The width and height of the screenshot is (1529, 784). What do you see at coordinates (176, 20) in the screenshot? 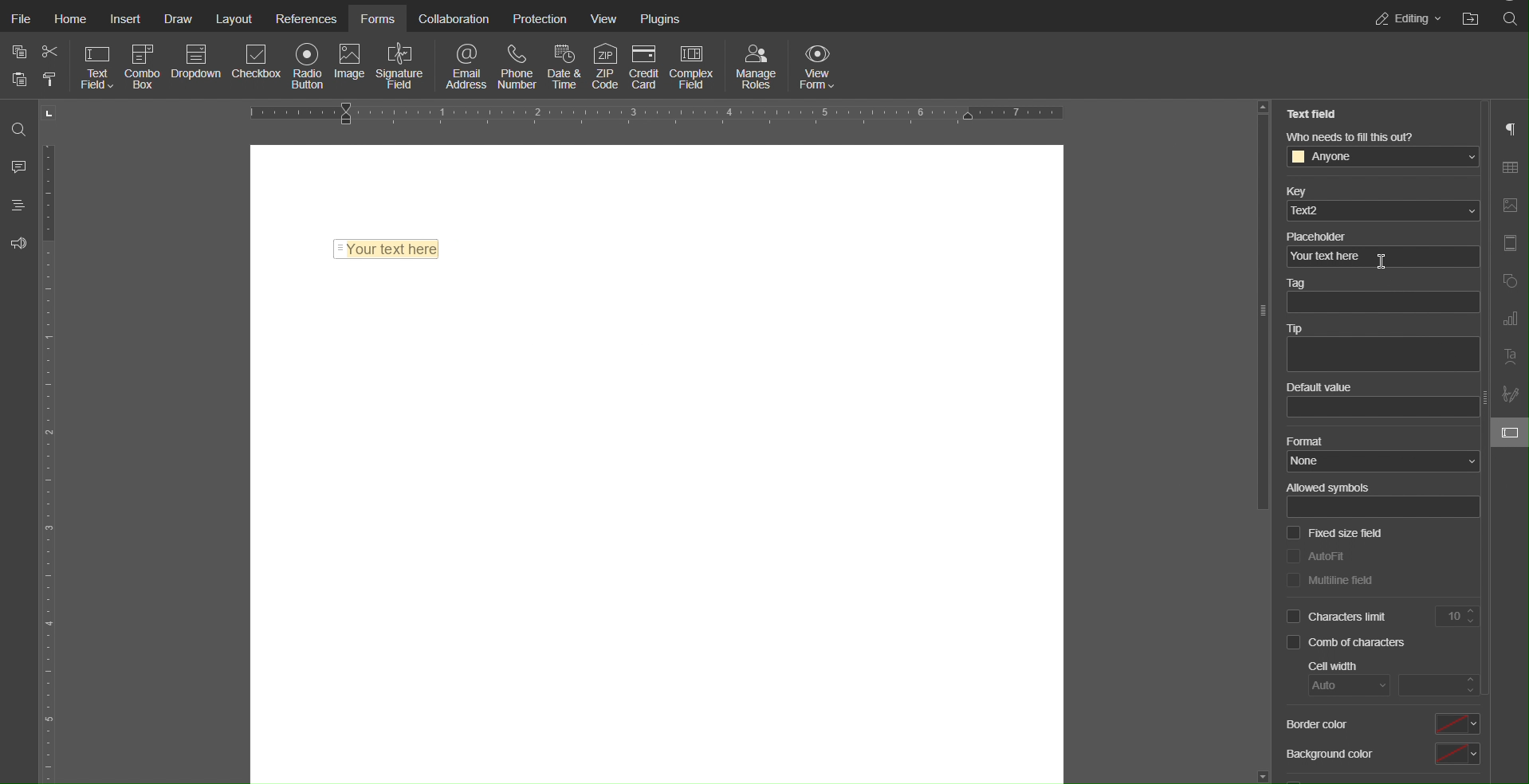
I see `Draw` at bounding box center [176, 20].